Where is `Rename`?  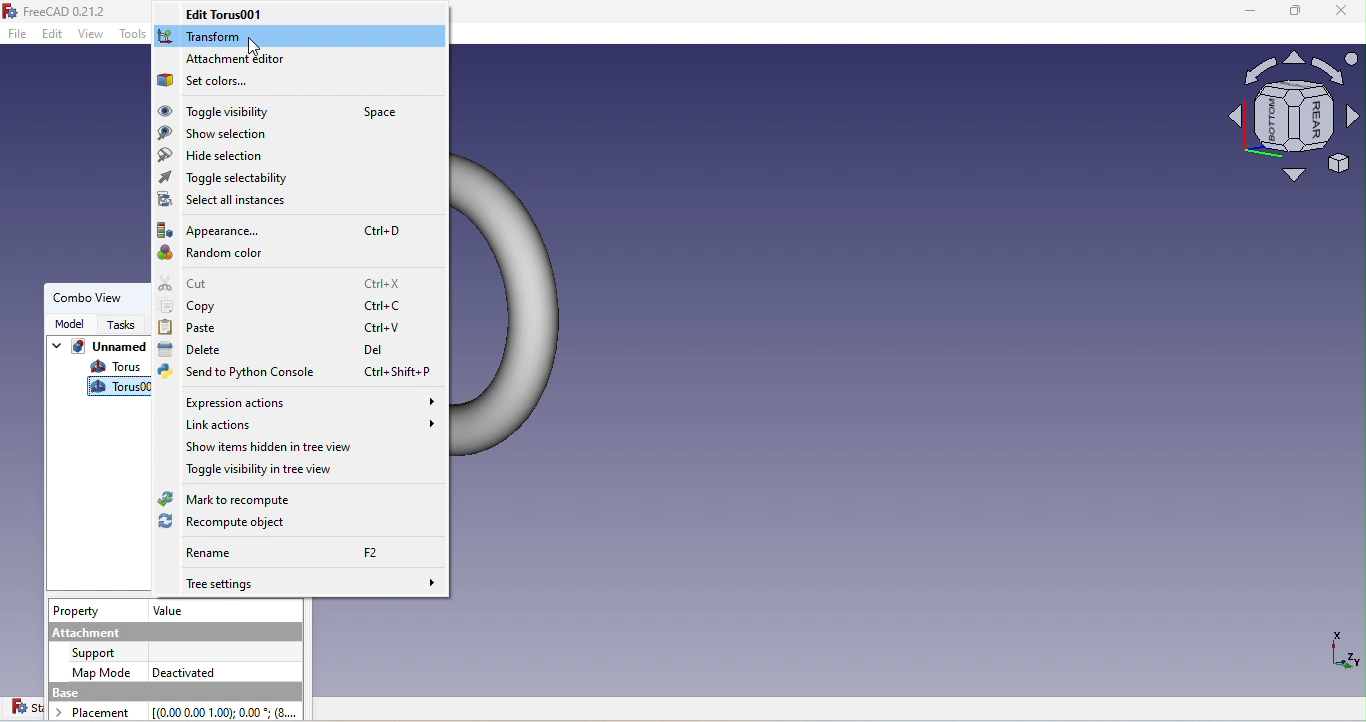 Rename is located at coordinates (279, 552).